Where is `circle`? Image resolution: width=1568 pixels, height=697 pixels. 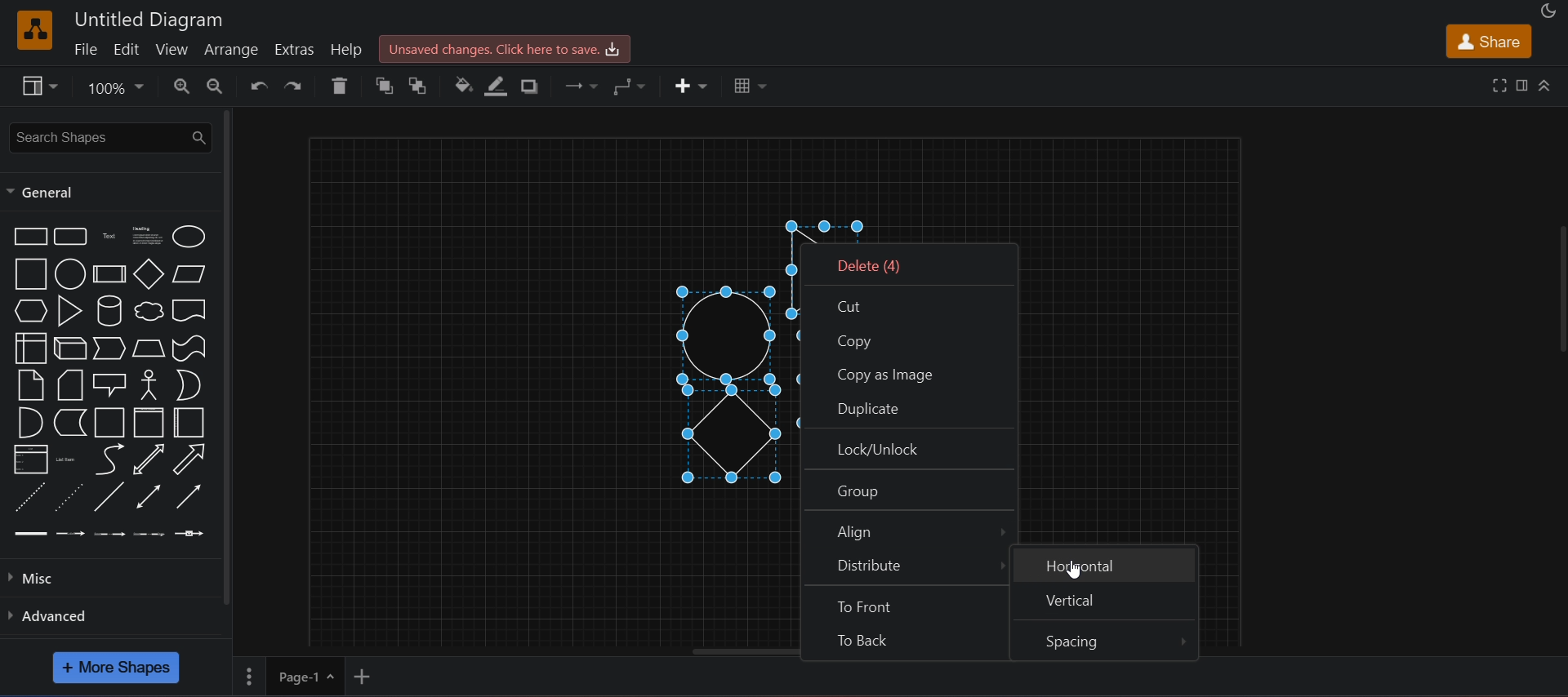
circle is located at coordinates (69, 274).